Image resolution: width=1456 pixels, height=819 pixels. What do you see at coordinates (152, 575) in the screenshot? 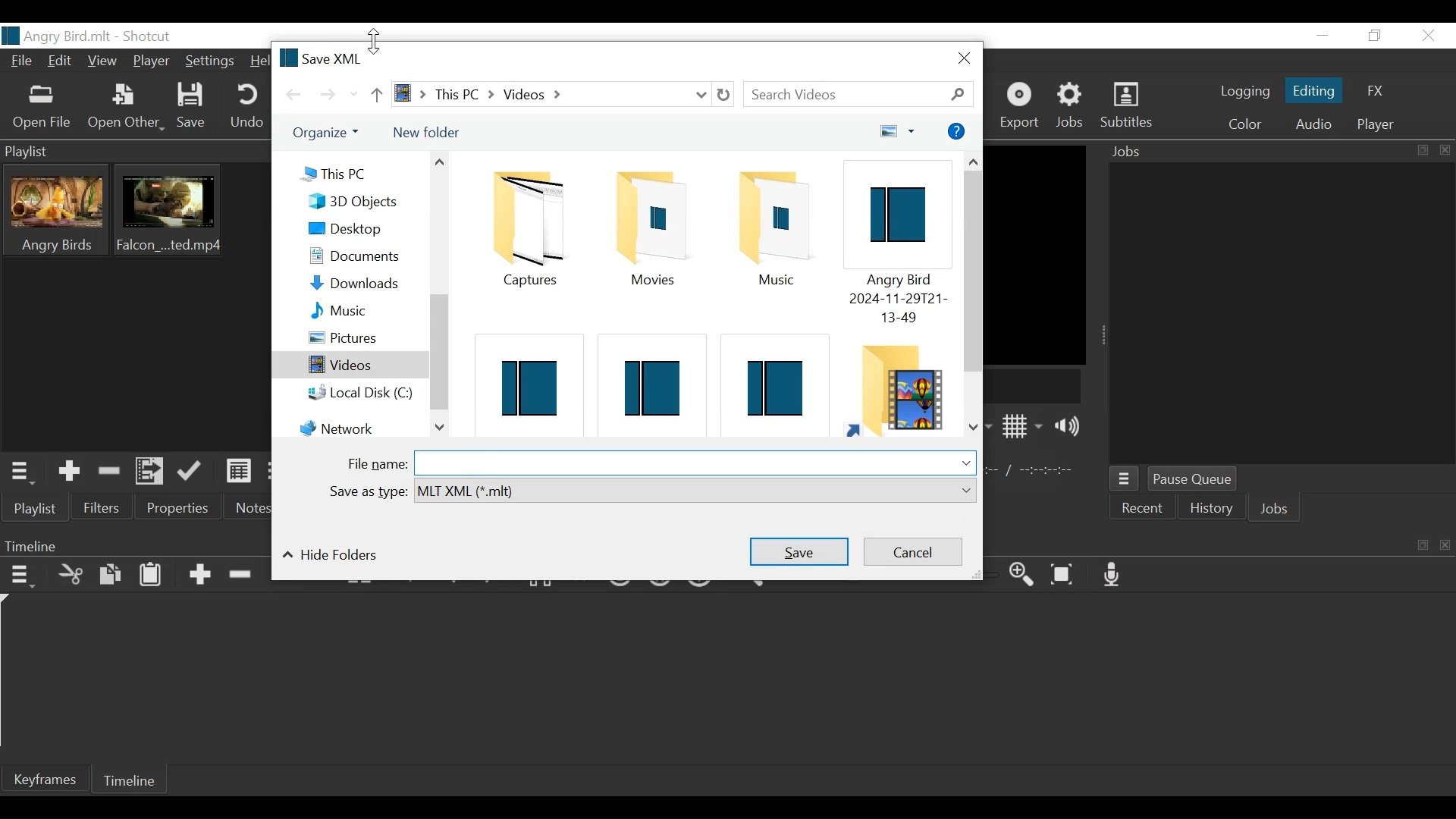
I see `Paste` at bounding box center [152, 575].